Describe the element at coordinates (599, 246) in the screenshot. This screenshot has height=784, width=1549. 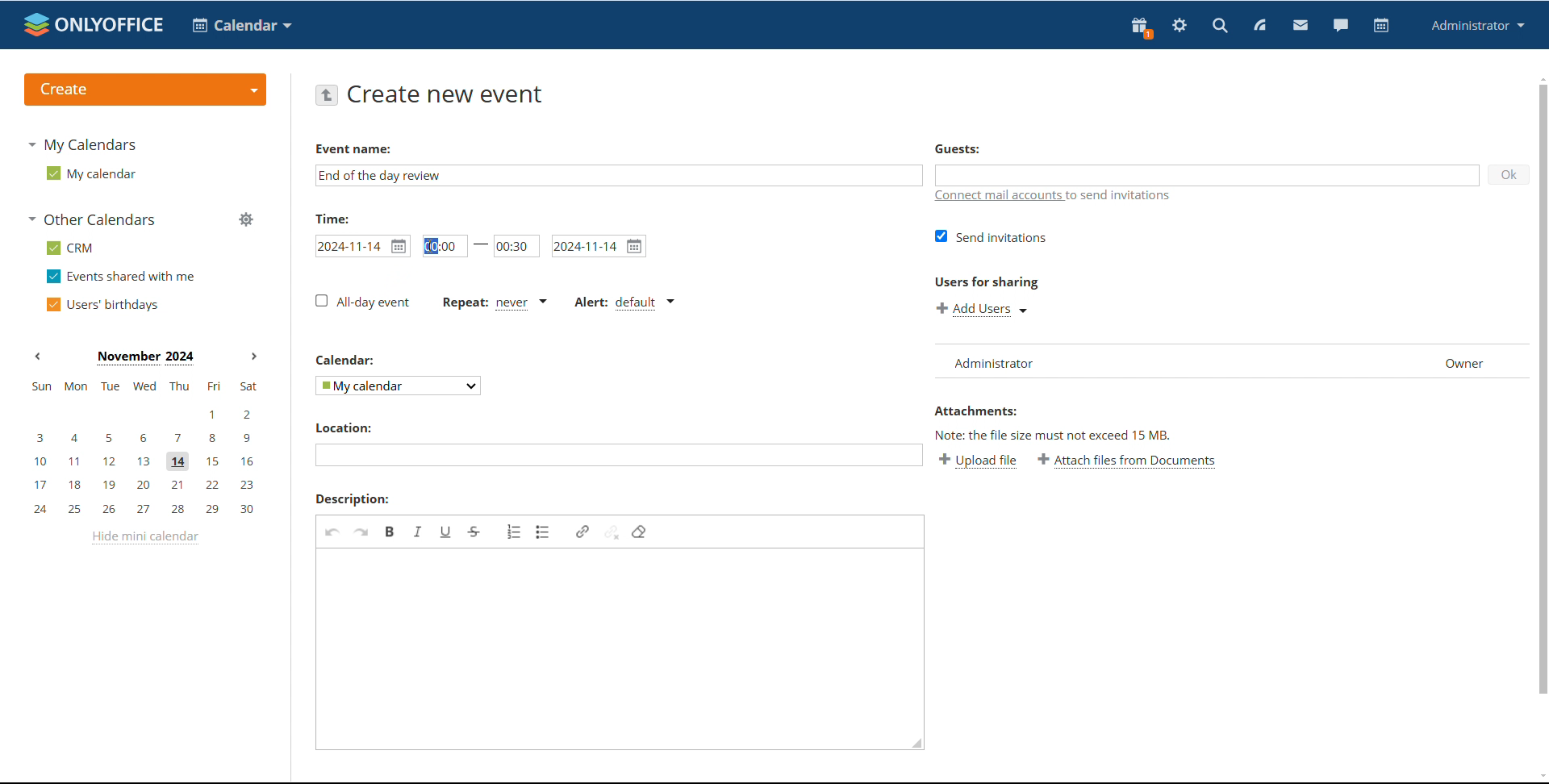
I see `set end date` at that location.